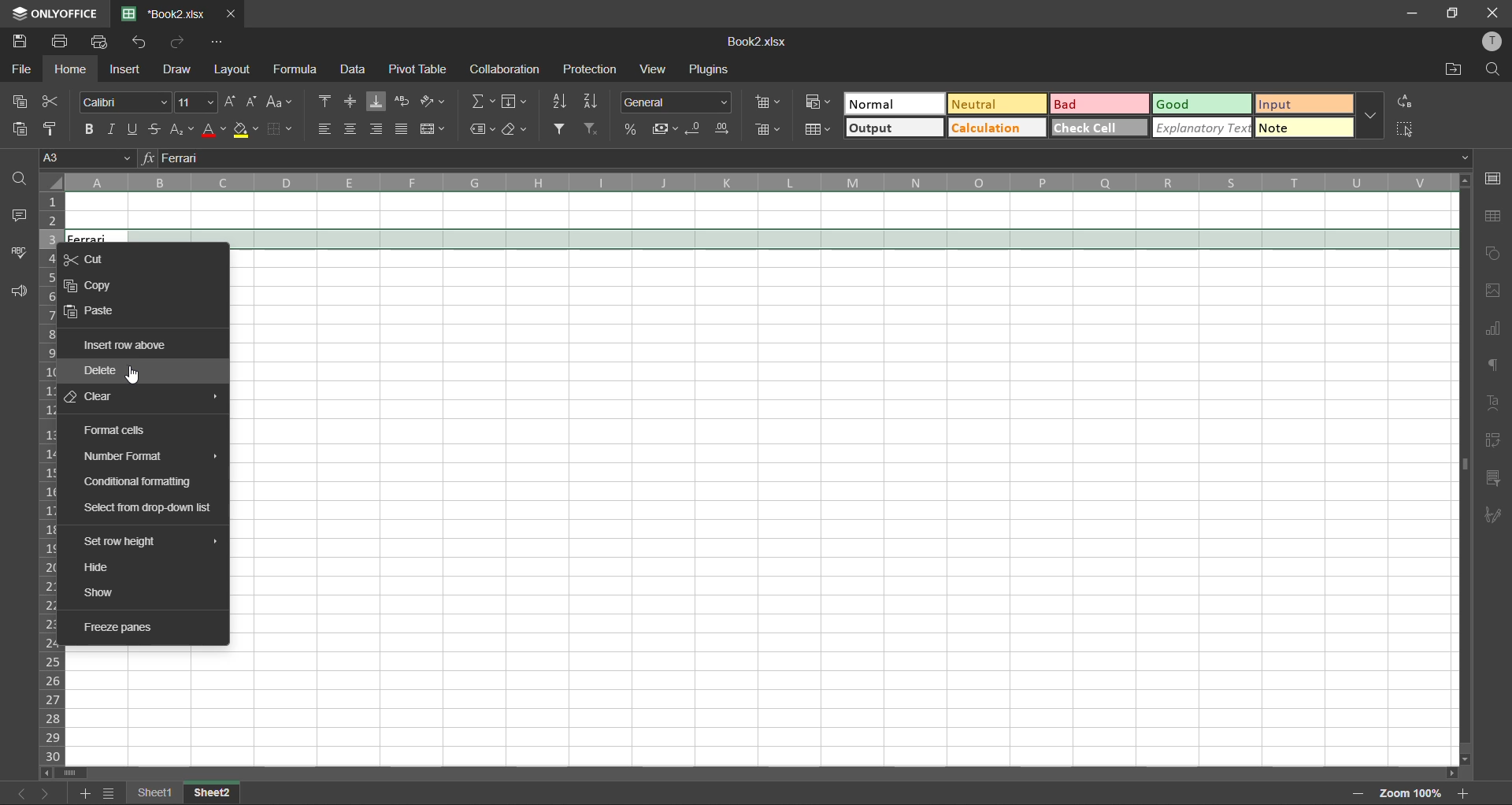 This screenshot has width=1512, height=805. I want to click on paste, so click(89, 310).